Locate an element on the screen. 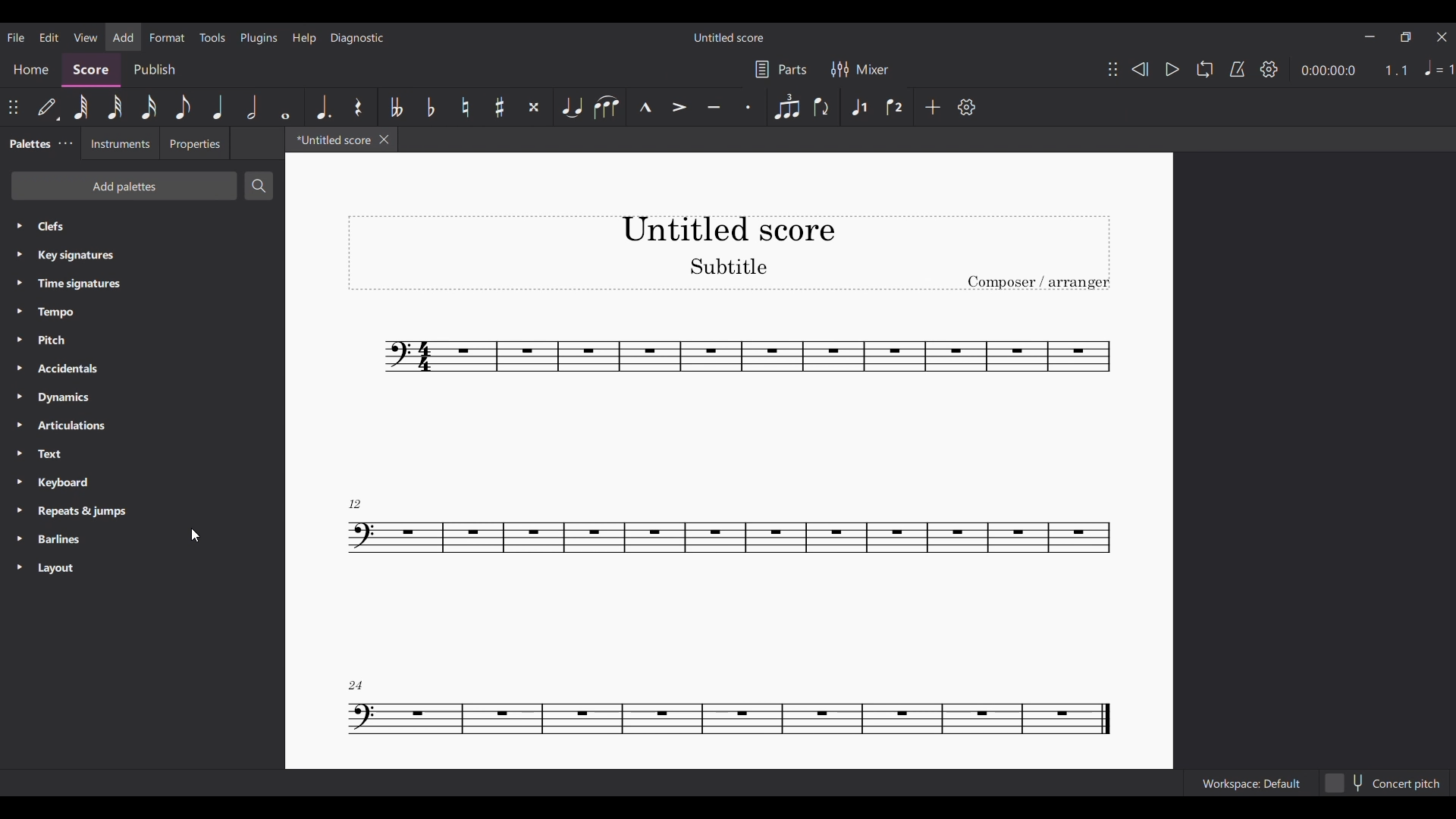  Dynamics is located at coordinates (72, 397).